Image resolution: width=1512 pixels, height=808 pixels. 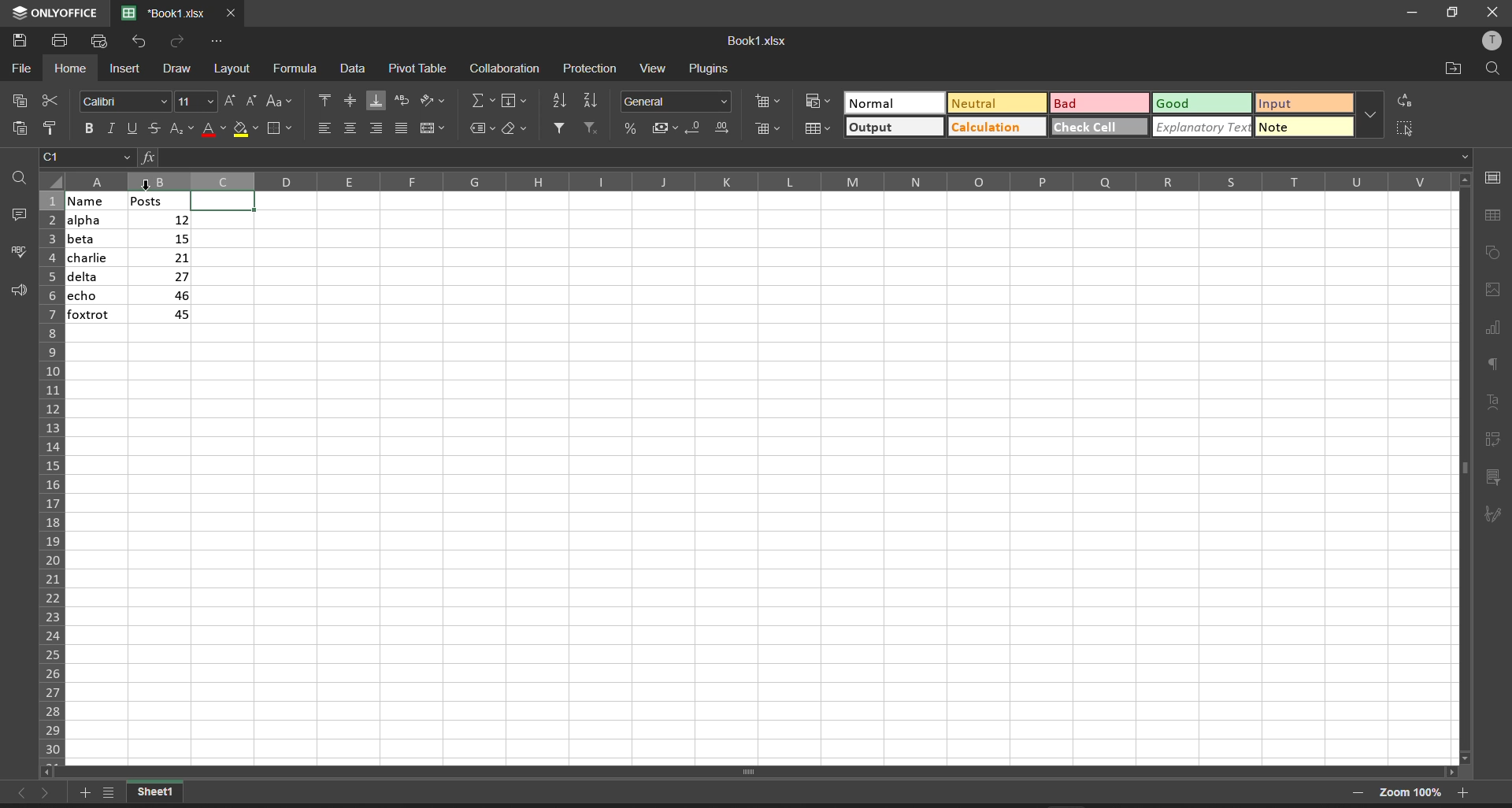 I want to click on text settings, so click(x=1496, y=401).